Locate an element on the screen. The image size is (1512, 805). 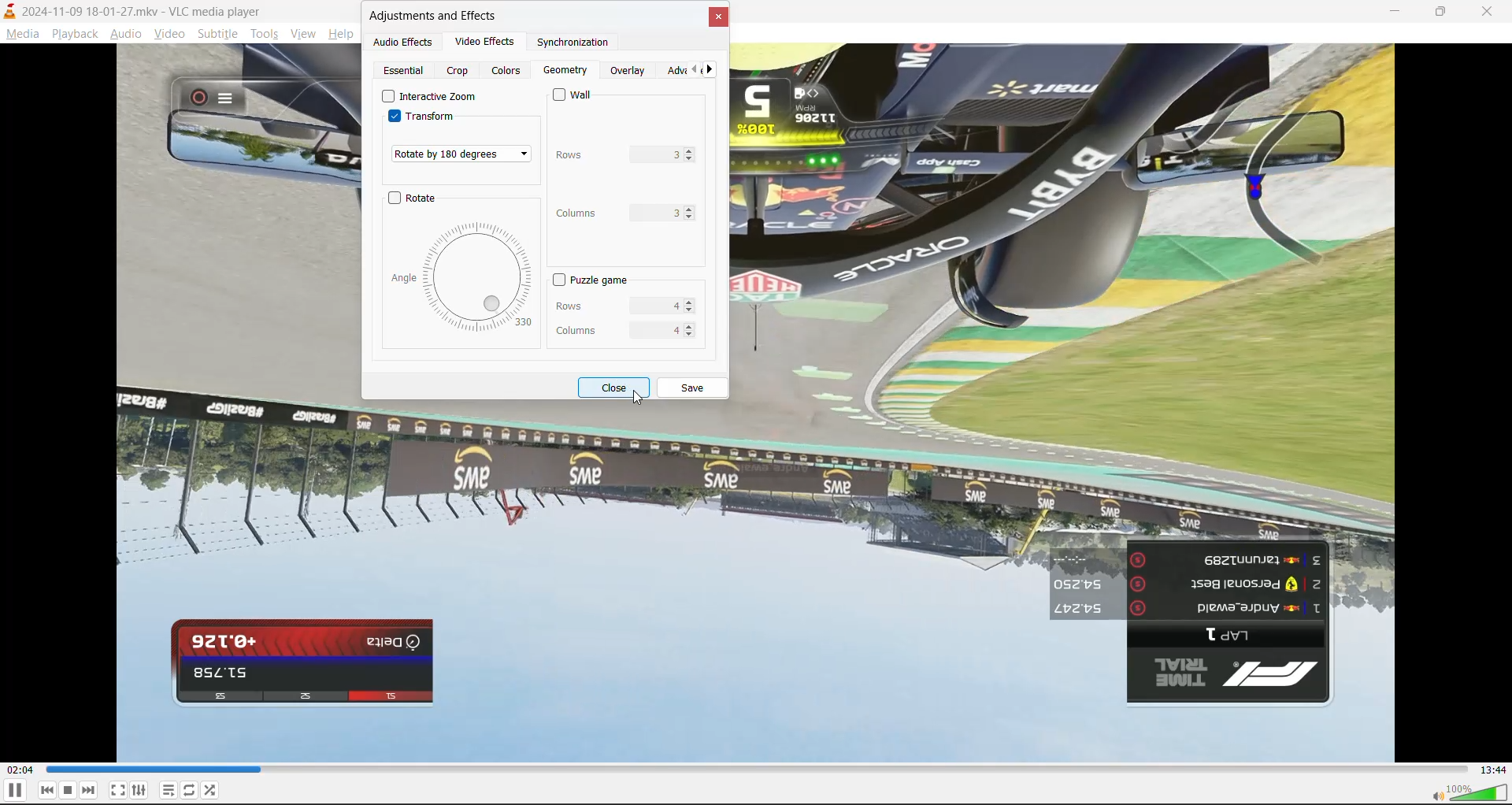
Decrease is located at coordinates (689, 314).